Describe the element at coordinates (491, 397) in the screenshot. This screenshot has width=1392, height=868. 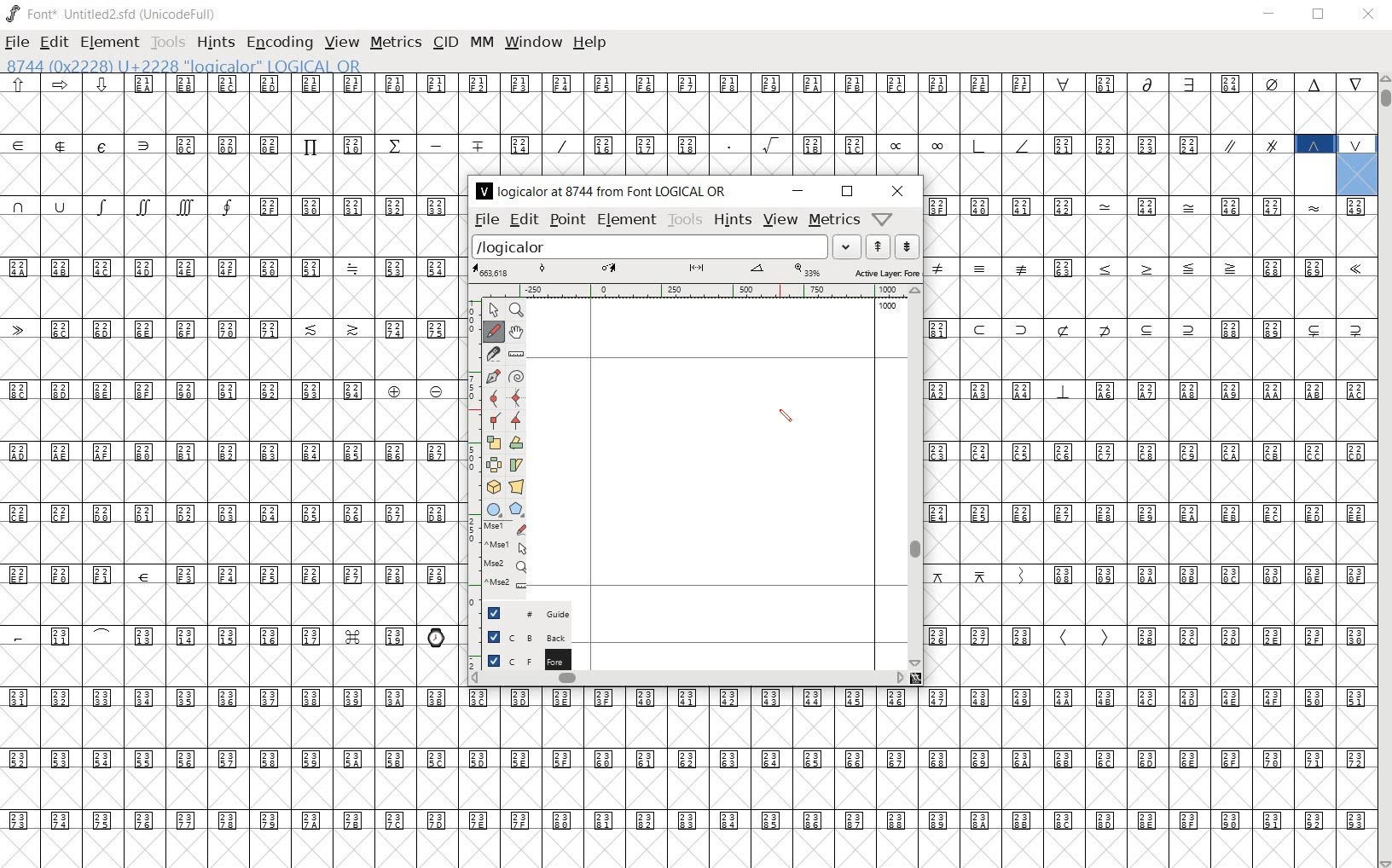
I see `add a curve point always either horizontal or vertical` at that location.